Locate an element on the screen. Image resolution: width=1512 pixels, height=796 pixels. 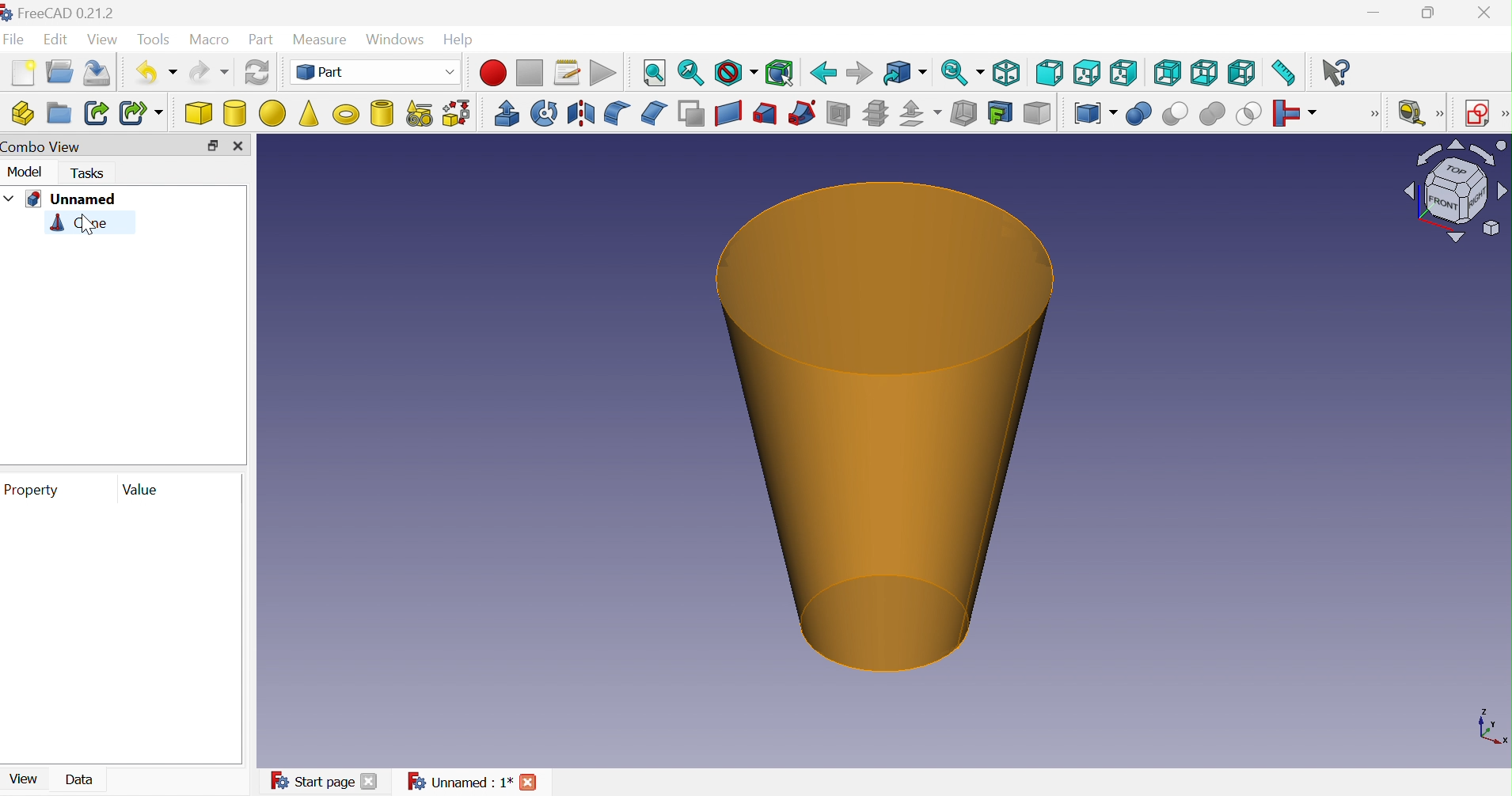
What's this? is located at coordinates (1339, 72).